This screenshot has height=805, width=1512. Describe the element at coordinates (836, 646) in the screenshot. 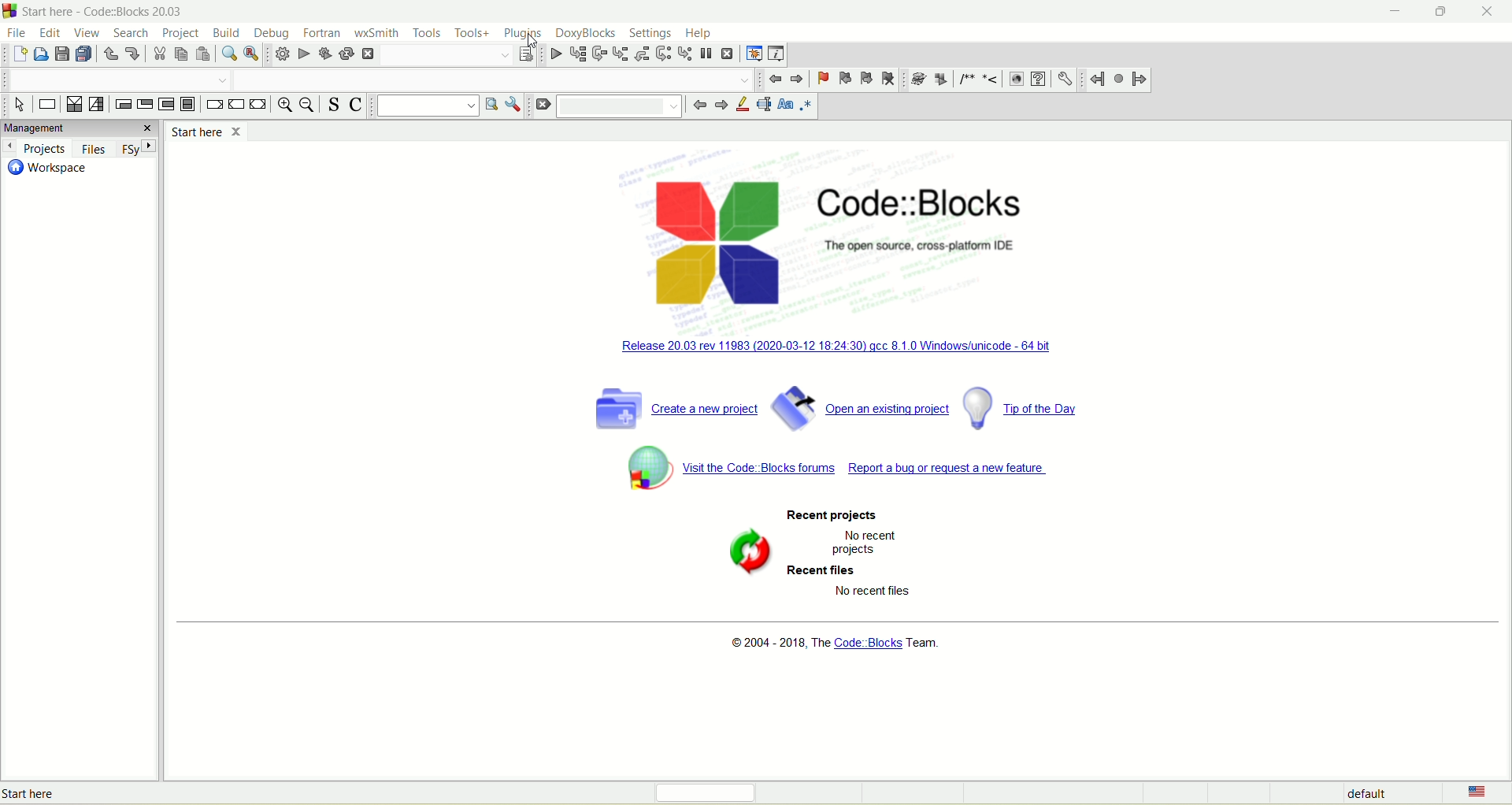

I see `©2004 - 2018, The Code: Blocks Team.` at that location.